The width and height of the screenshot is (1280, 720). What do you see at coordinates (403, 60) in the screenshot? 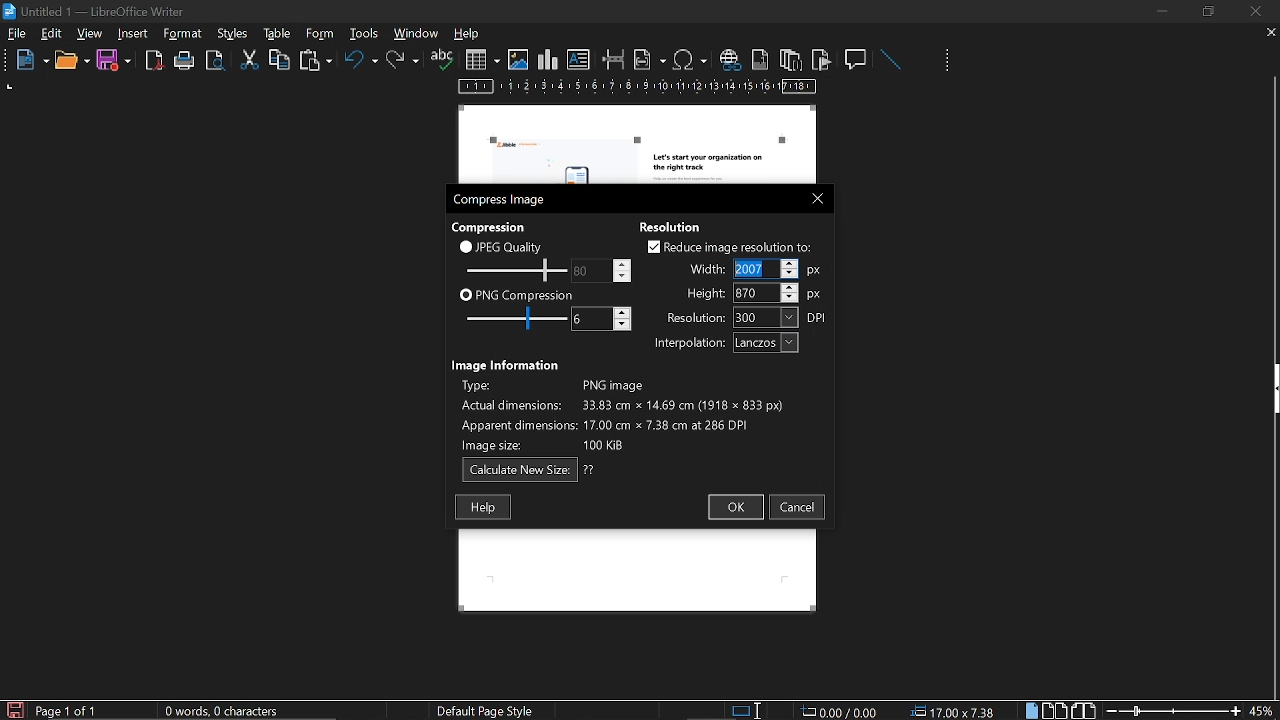
I see `redo` at bounding box center [403, 60].